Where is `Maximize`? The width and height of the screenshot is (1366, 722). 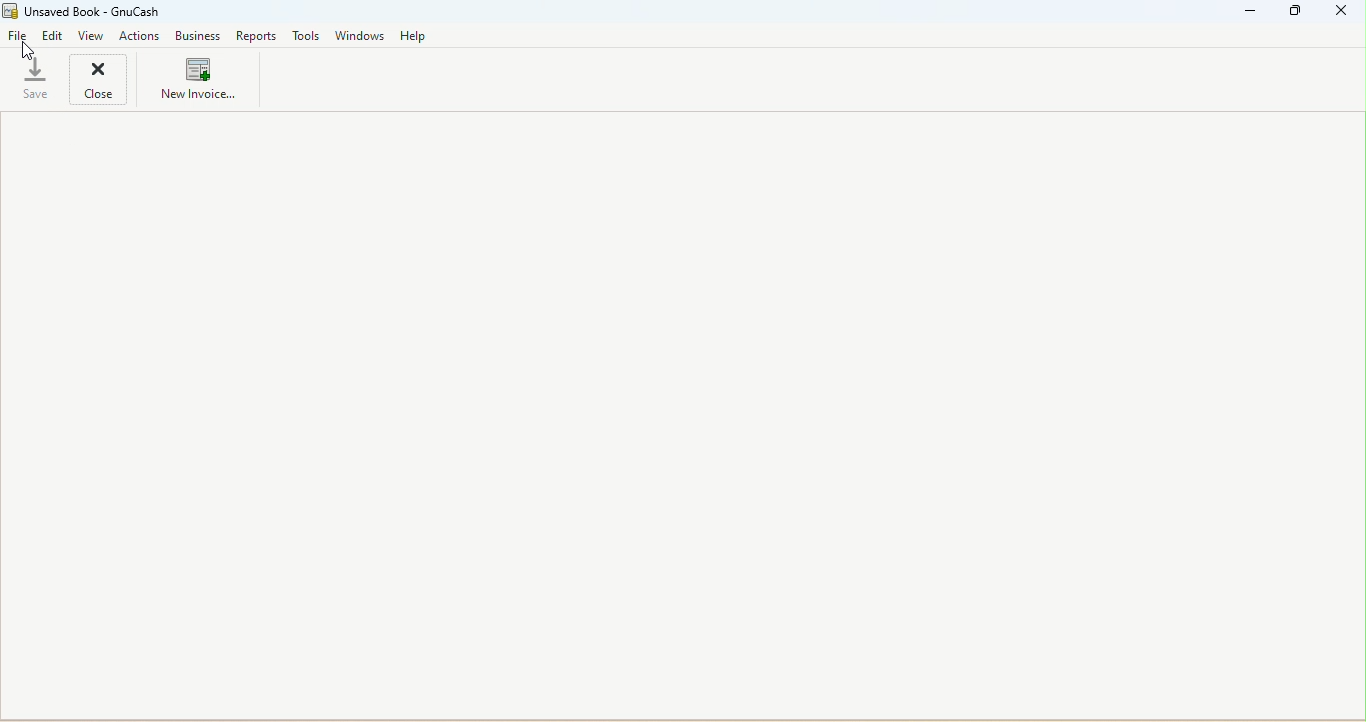 Maximize is located at coordinates (1294, 12).